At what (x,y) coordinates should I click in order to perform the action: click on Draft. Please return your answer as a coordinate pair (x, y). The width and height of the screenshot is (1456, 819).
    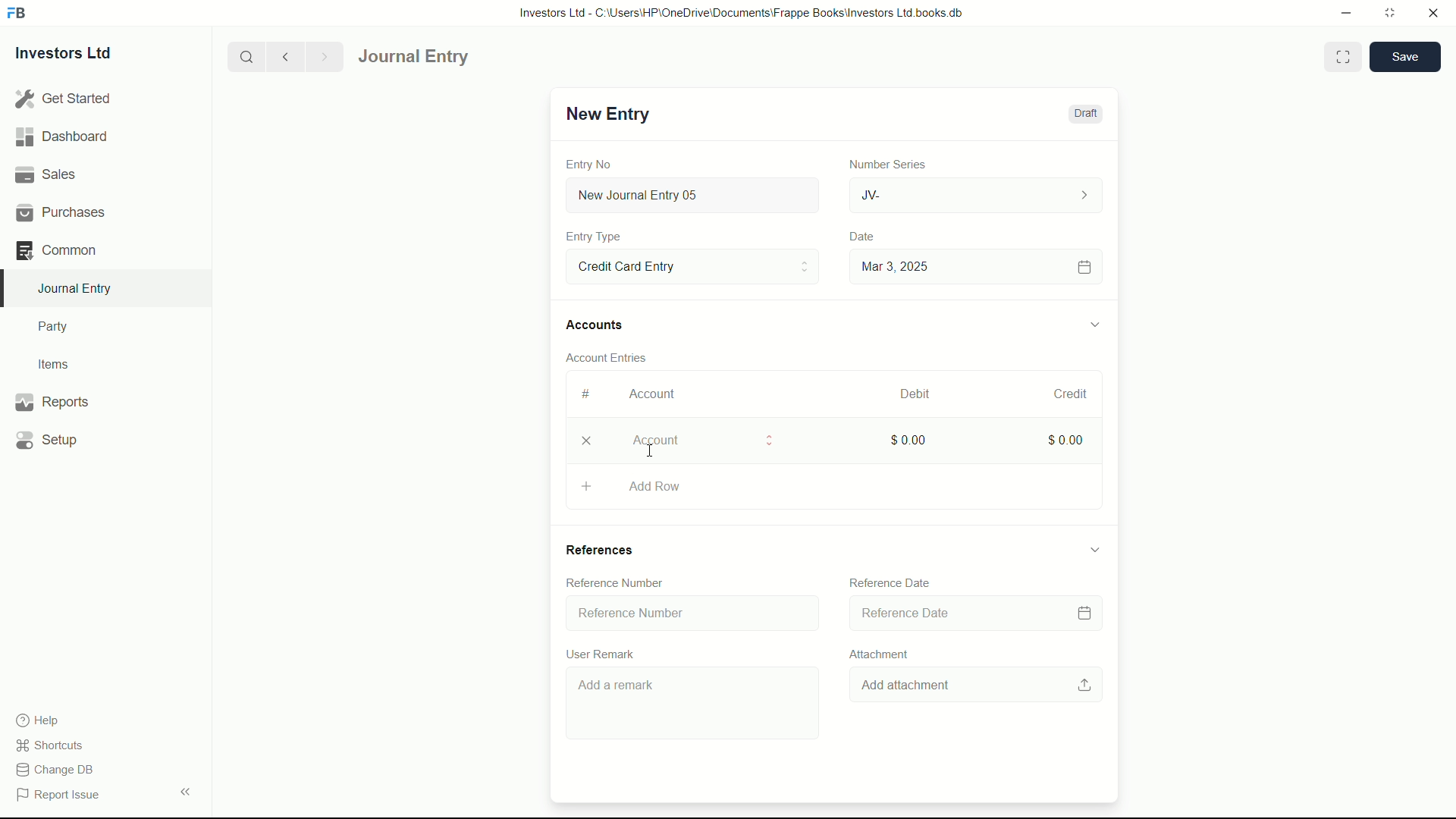
    Looking at the image, I should click on (1084, 114).